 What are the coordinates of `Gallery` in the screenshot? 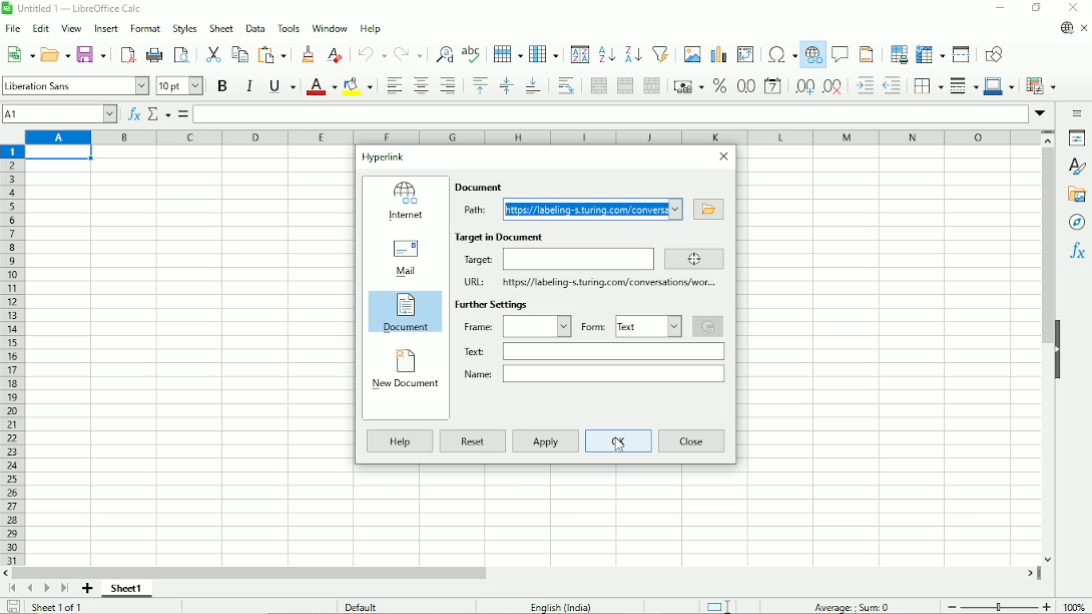 It's located at (1076, 197).